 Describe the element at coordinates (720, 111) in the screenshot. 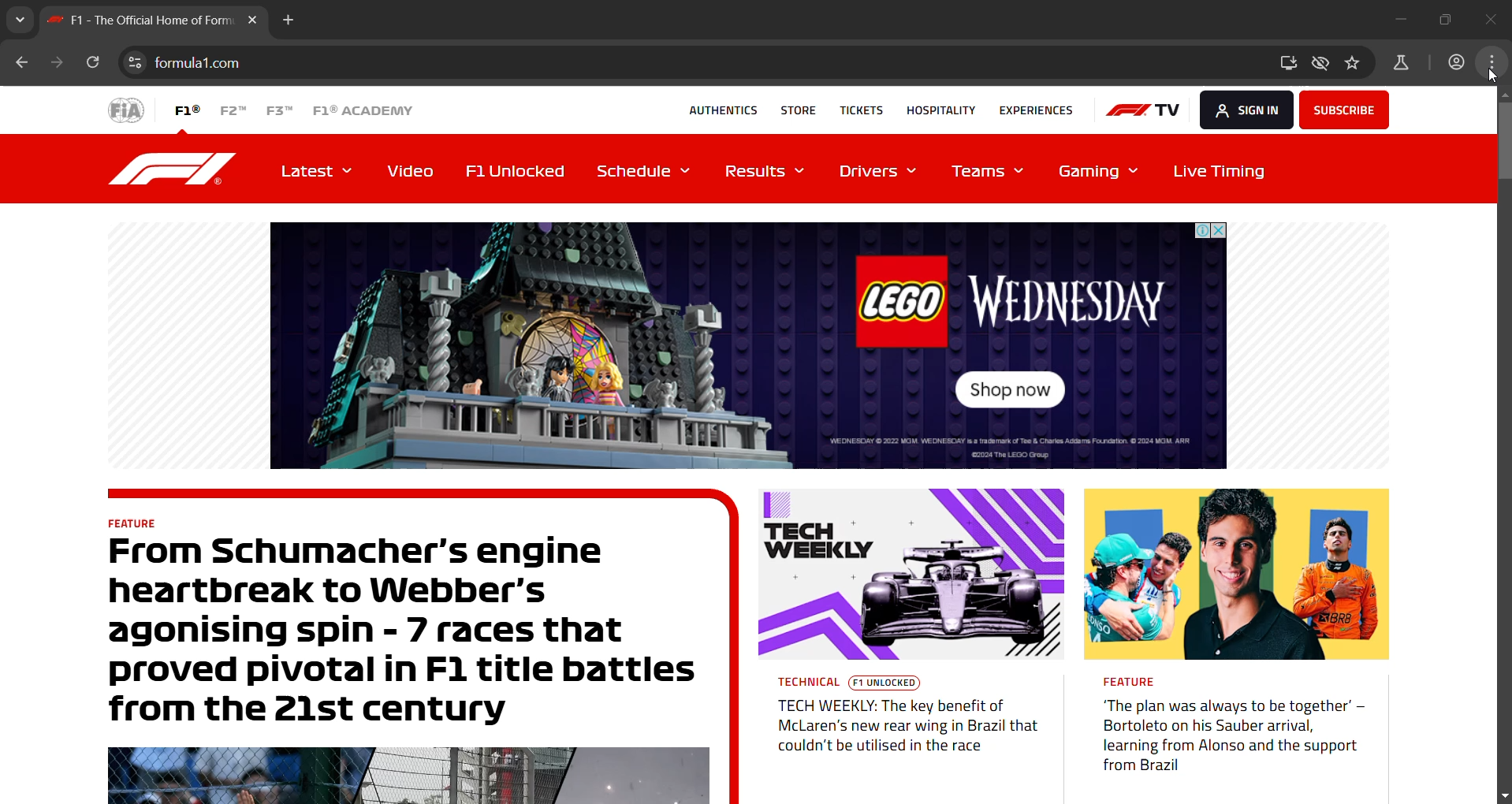

I see `AUTHENTICS` at that location.